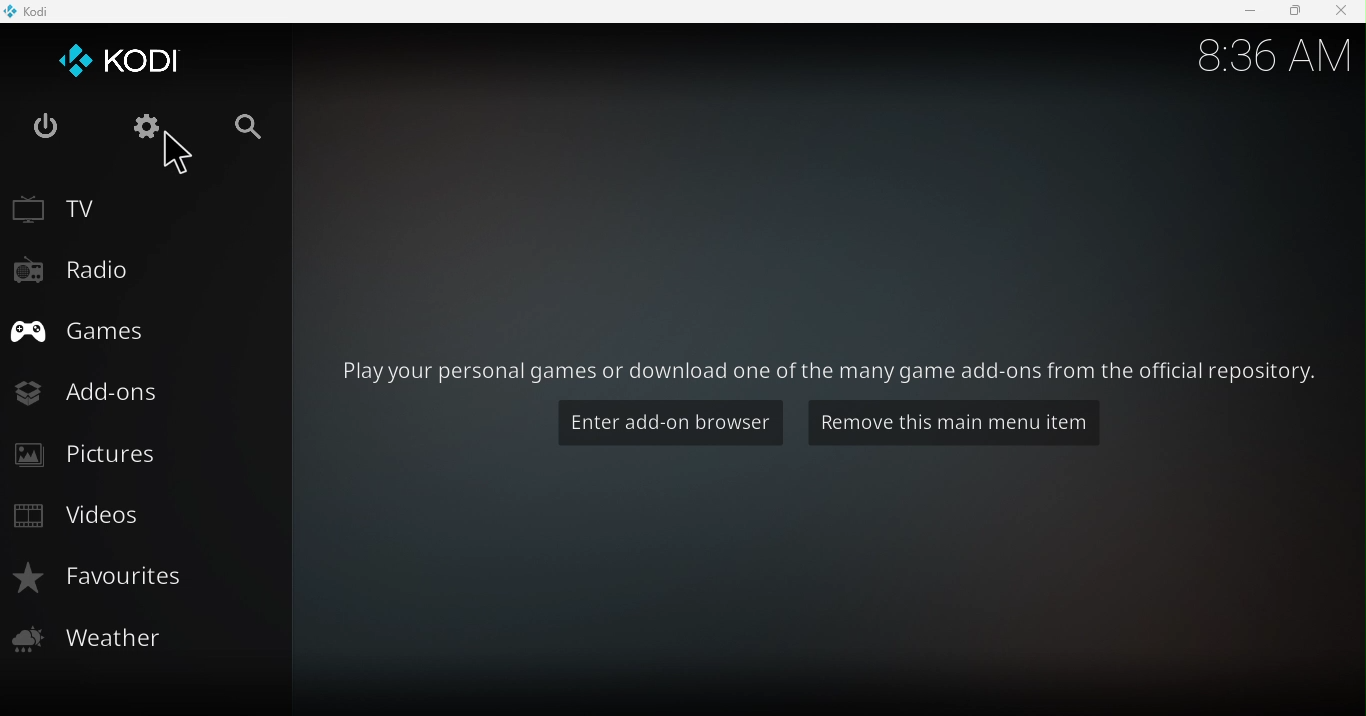  Describe the element at coordinates (138, 517) in the screenshot. I see `Videos` at that location.